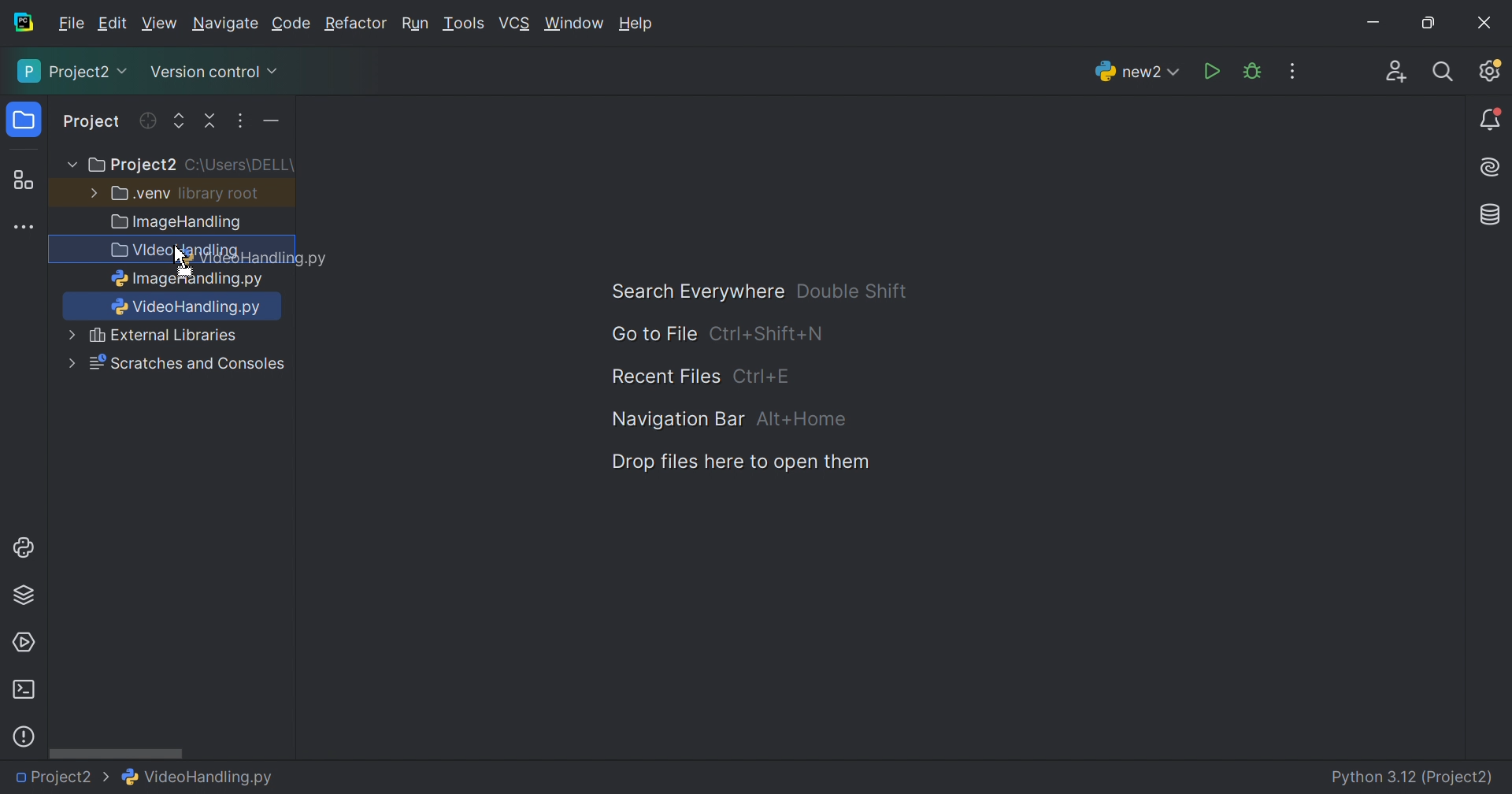  Describe the element at coordinates (220, 193) in the screenshot. I see `library root` at that location.